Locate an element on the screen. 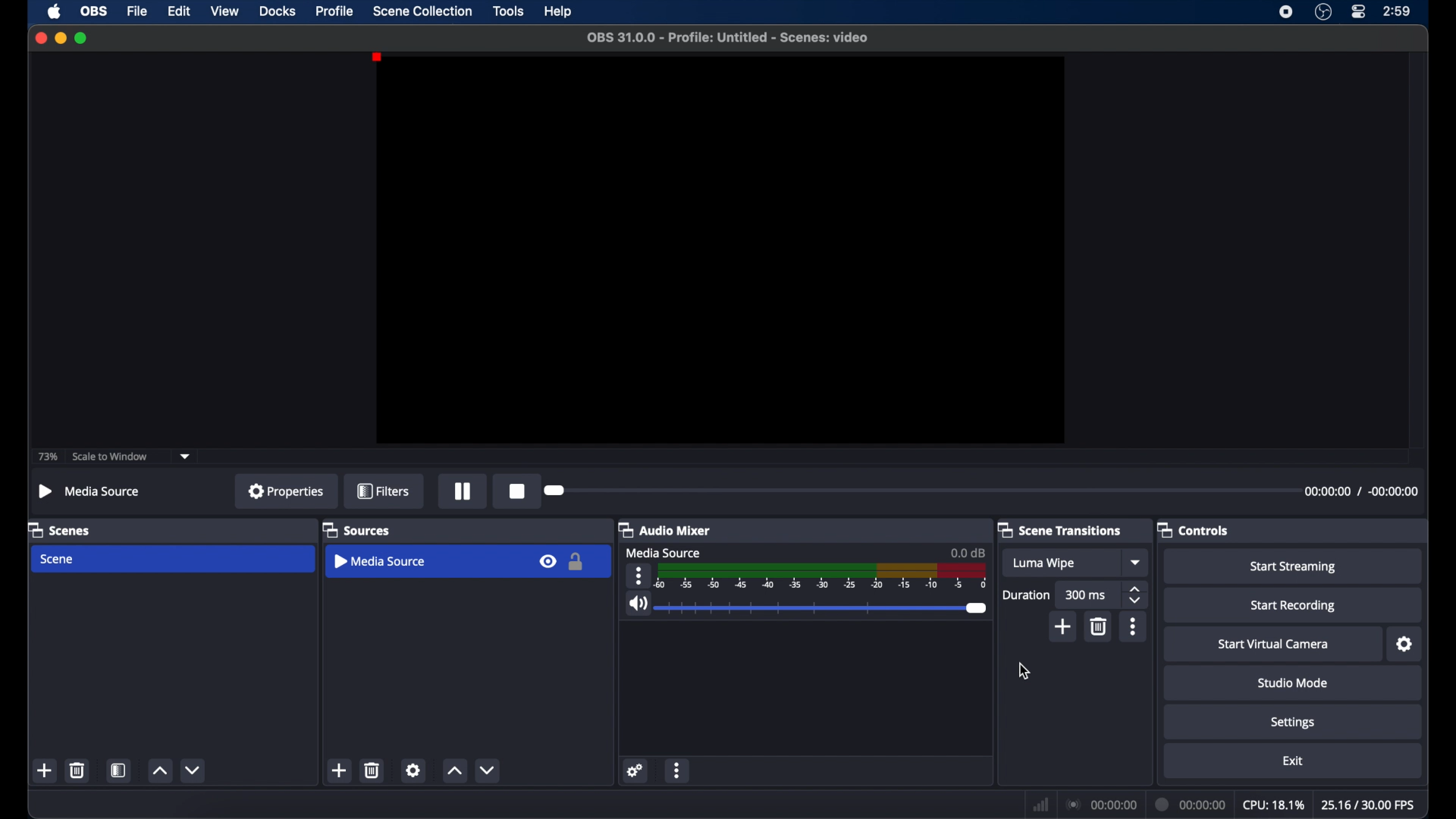 This screenshot has height=819, width=1456. volume is located at coordinates (637, 604).